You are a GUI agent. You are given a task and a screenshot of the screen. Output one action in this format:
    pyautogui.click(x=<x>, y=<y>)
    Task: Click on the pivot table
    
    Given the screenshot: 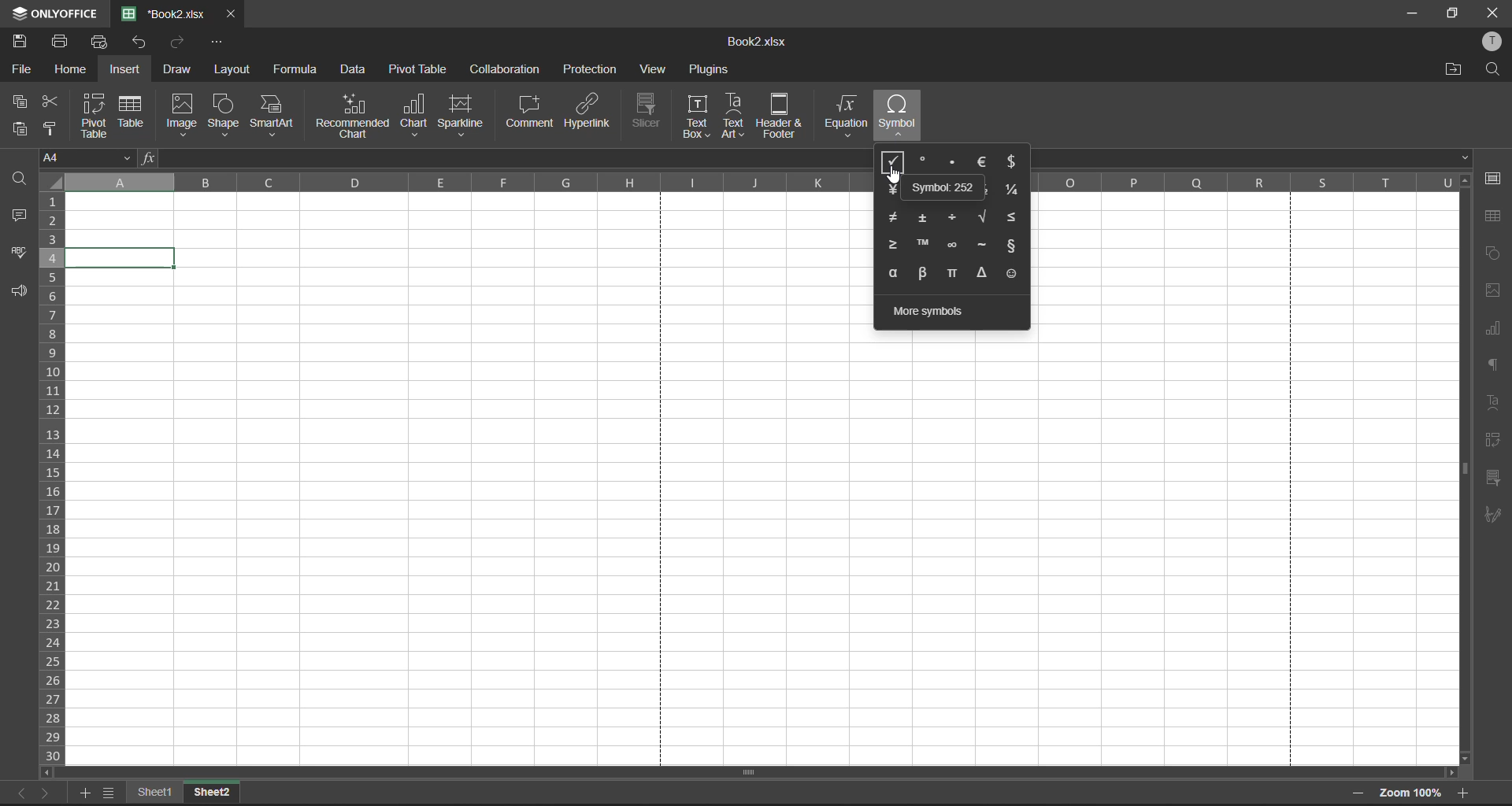 What is the action you would take?
    pyautogui.click(x=1492, y=442)
    